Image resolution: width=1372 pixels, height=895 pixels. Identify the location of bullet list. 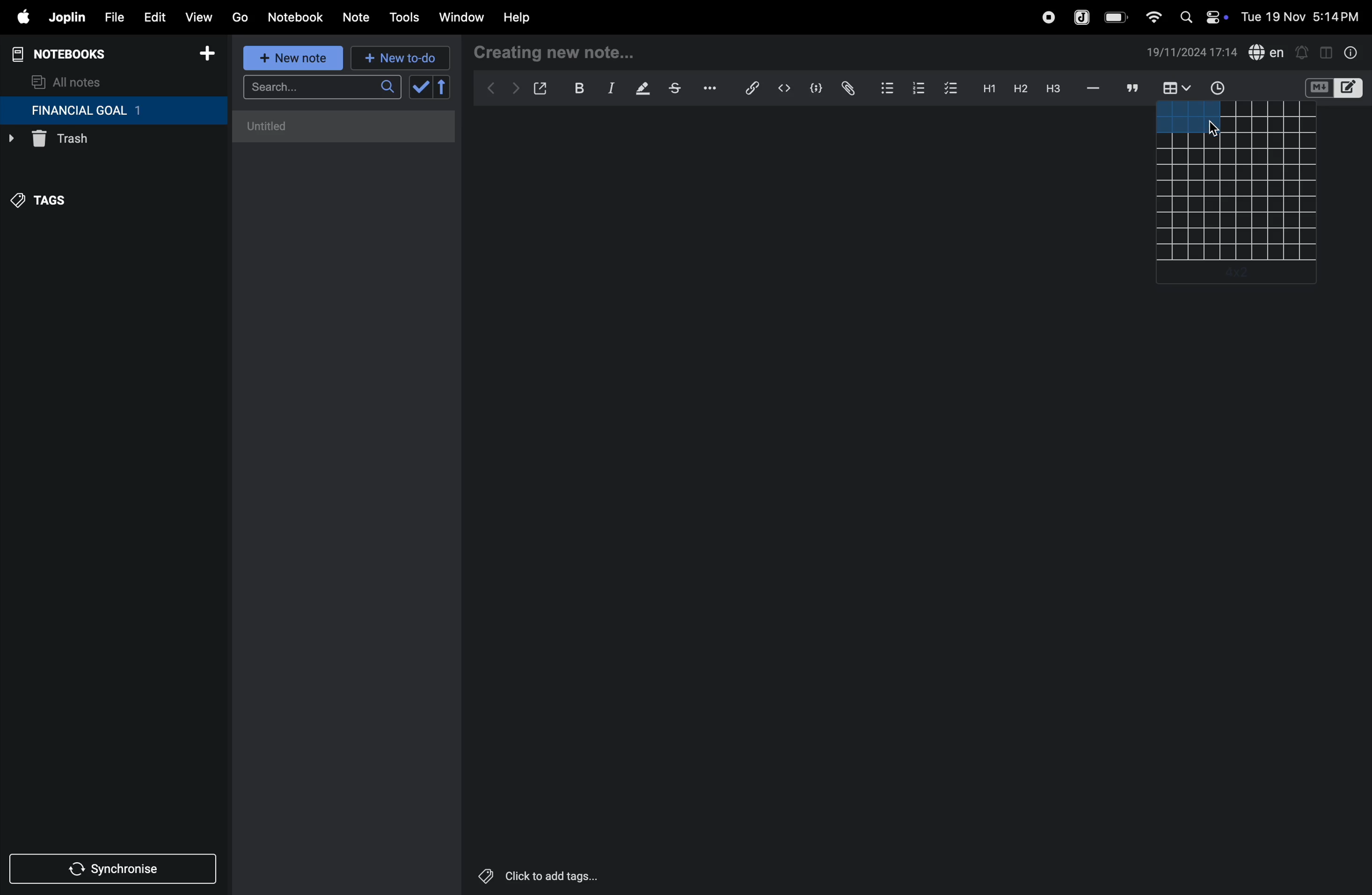
(887, 87).